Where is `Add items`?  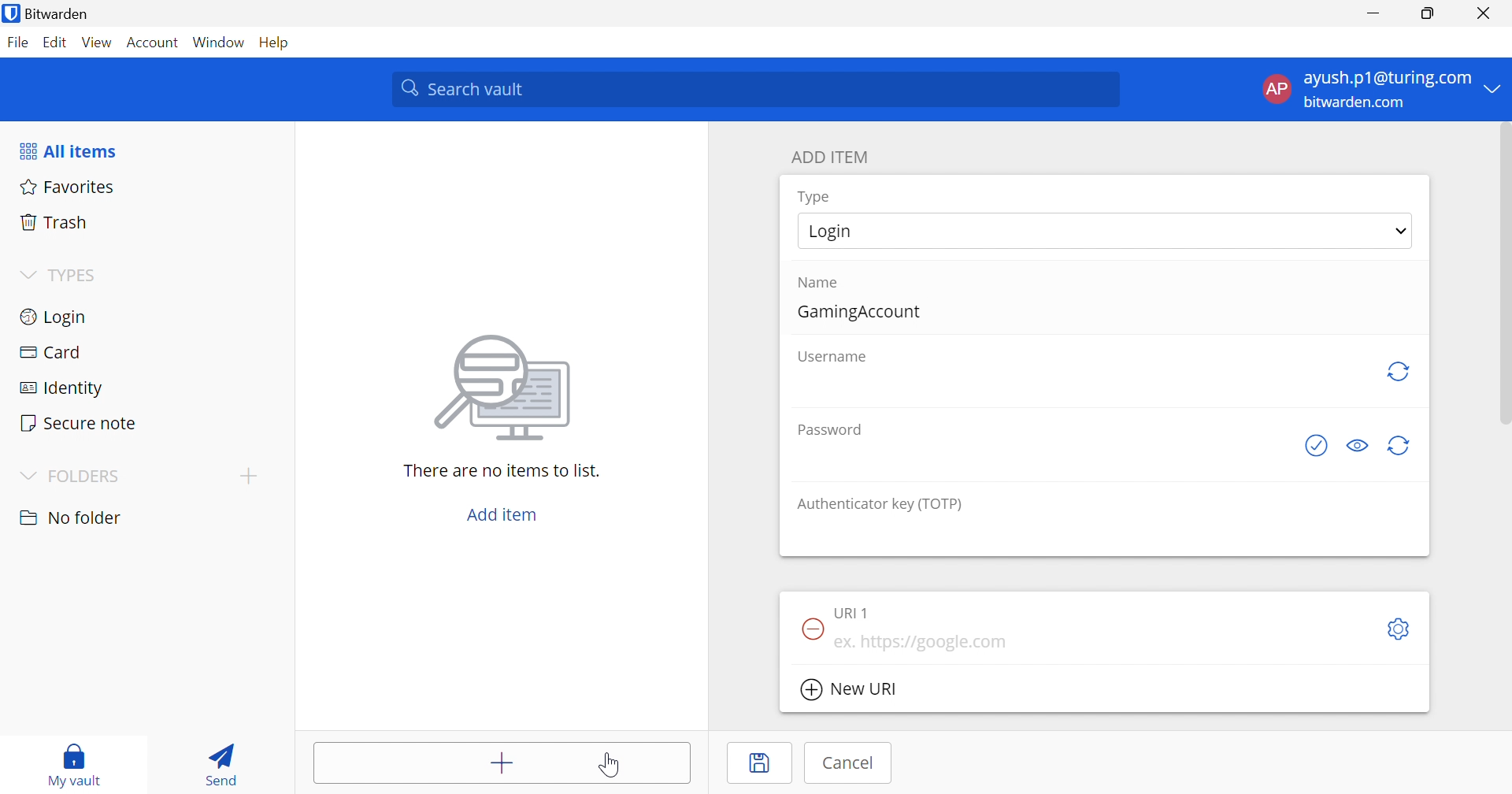
Add items is located at coordinates (499, 763).